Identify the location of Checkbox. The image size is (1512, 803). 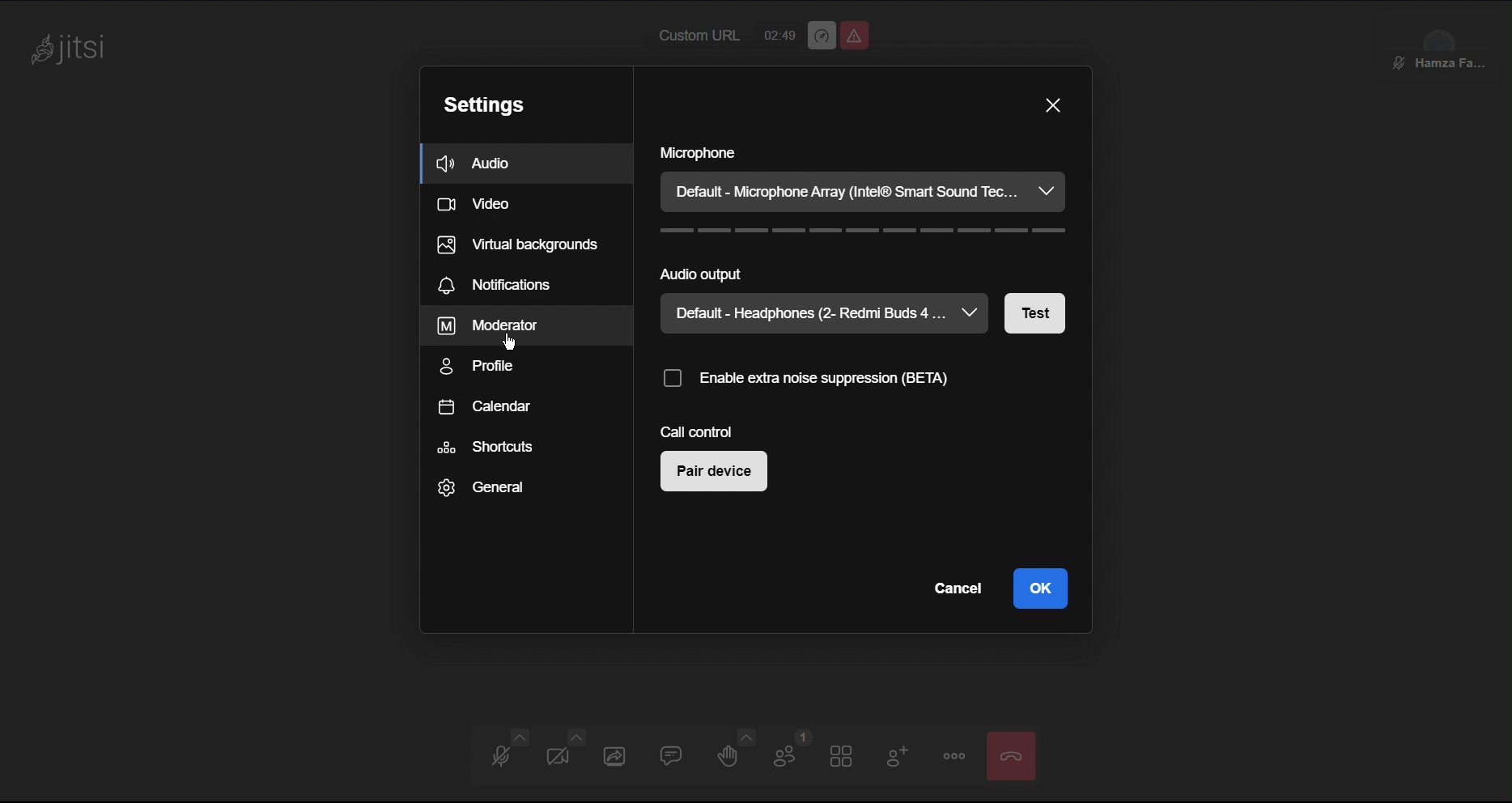
(670, 377).